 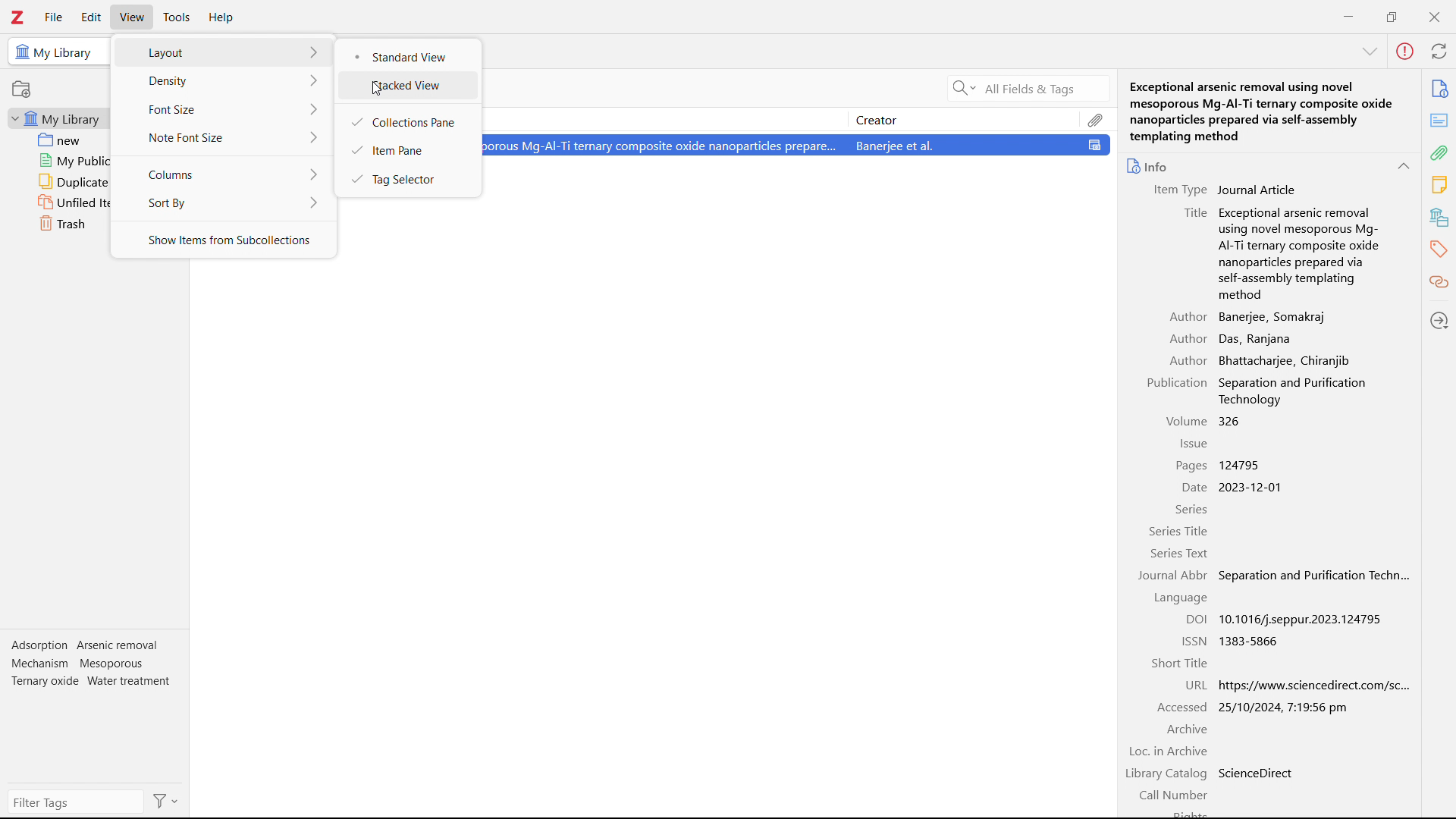 I want to click on notes, so click(x=1439, y=185).